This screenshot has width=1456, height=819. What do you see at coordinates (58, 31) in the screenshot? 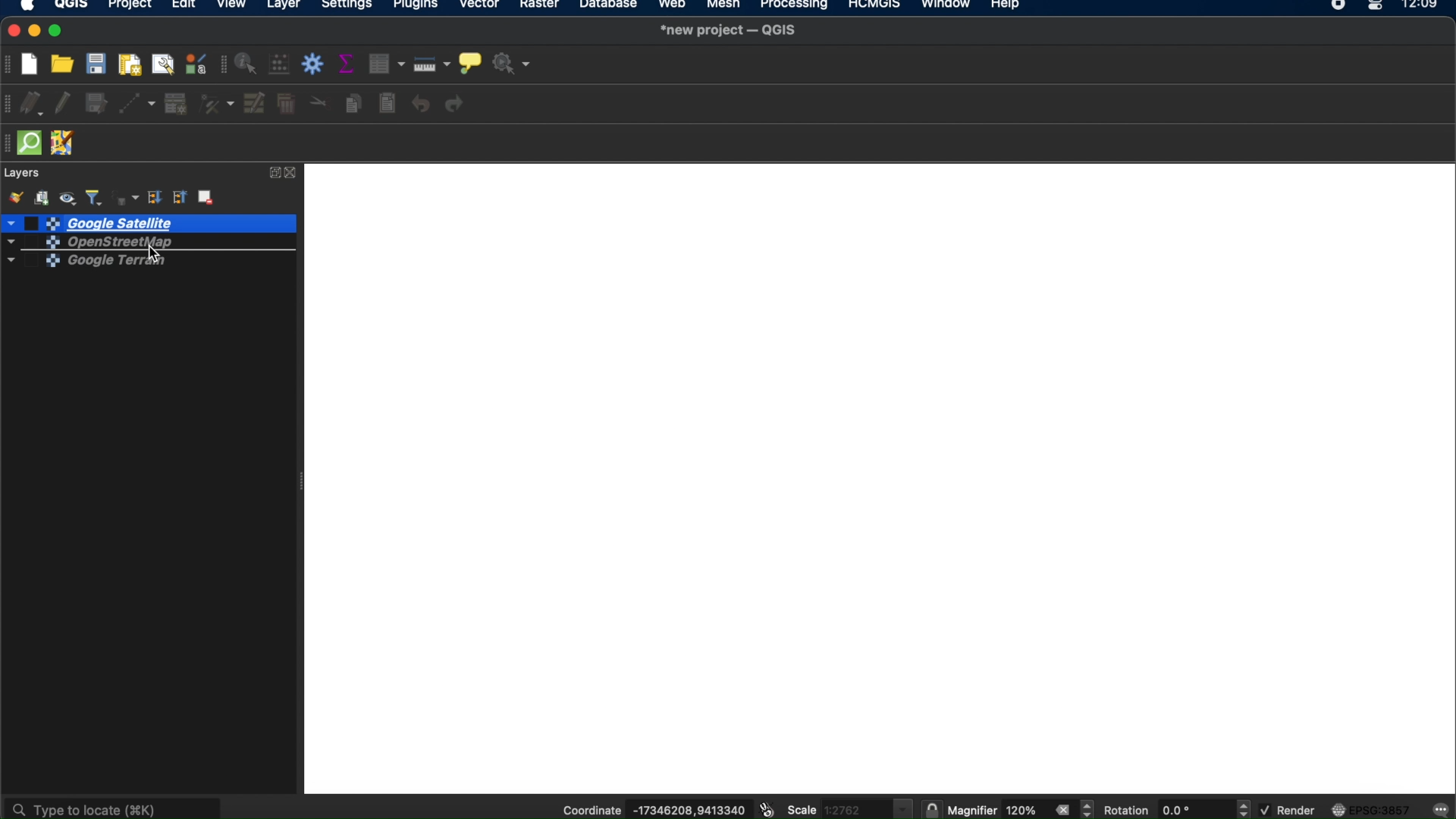
I see `maximize` at bounding box center [58, 31].